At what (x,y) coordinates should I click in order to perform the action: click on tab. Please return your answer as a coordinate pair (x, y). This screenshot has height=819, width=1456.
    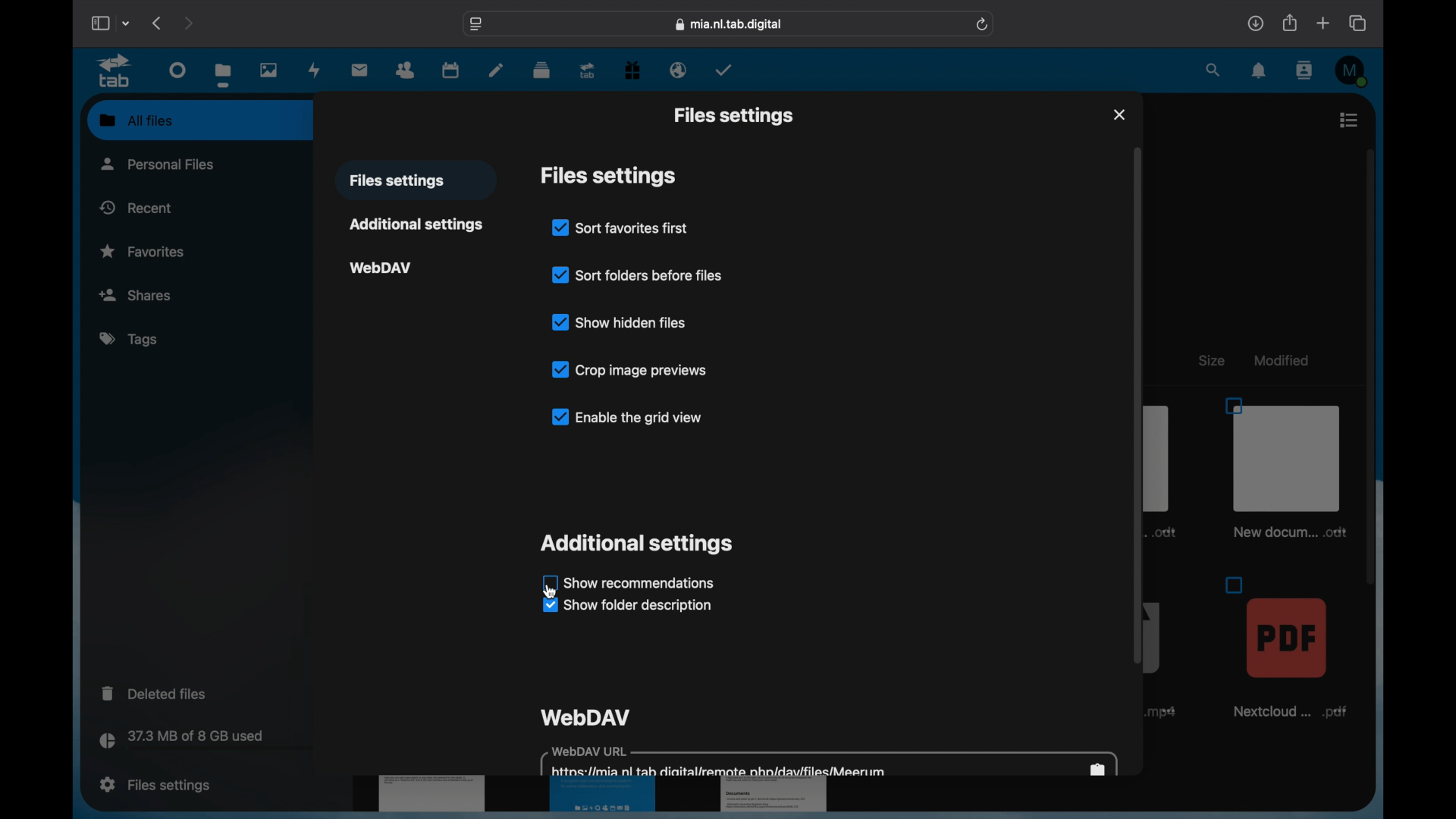
    Looking at the image, I should click on (115, 71).